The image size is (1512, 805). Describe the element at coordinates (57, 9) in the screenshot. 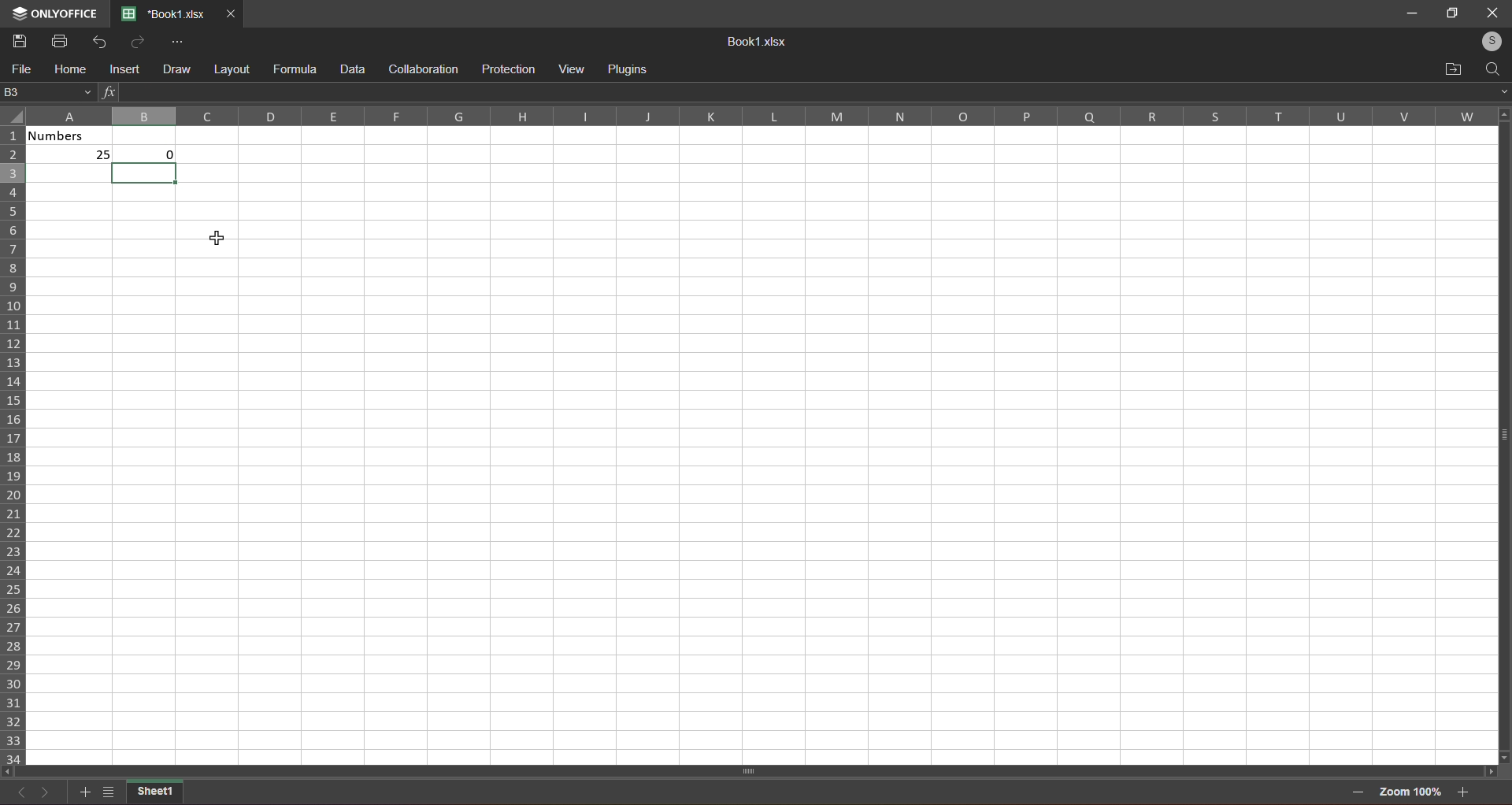

I see `onlyoffice` at that location.